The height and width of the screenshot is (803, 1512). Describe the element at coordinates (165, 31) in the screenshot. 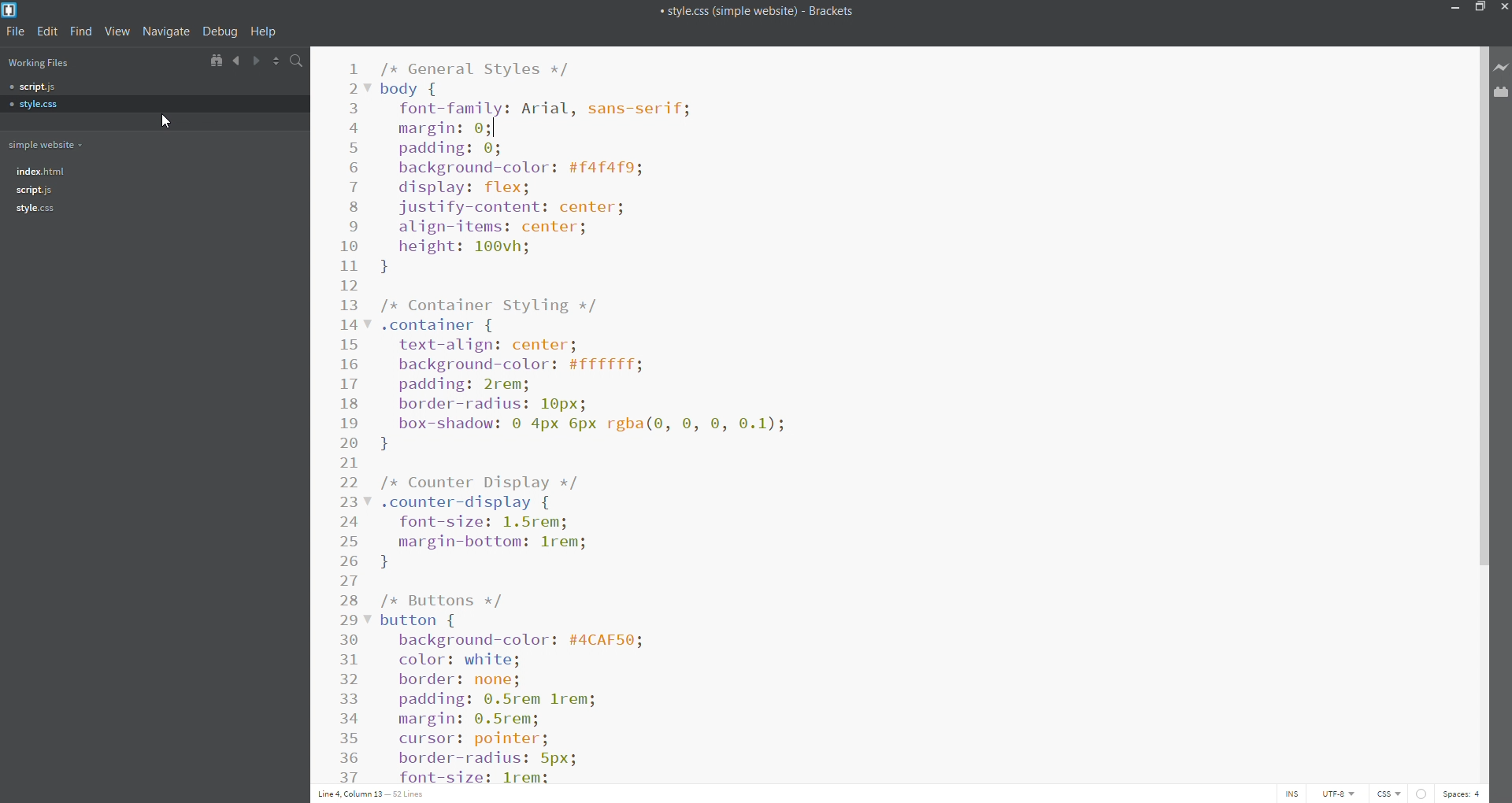

I see `navigate` at that location.